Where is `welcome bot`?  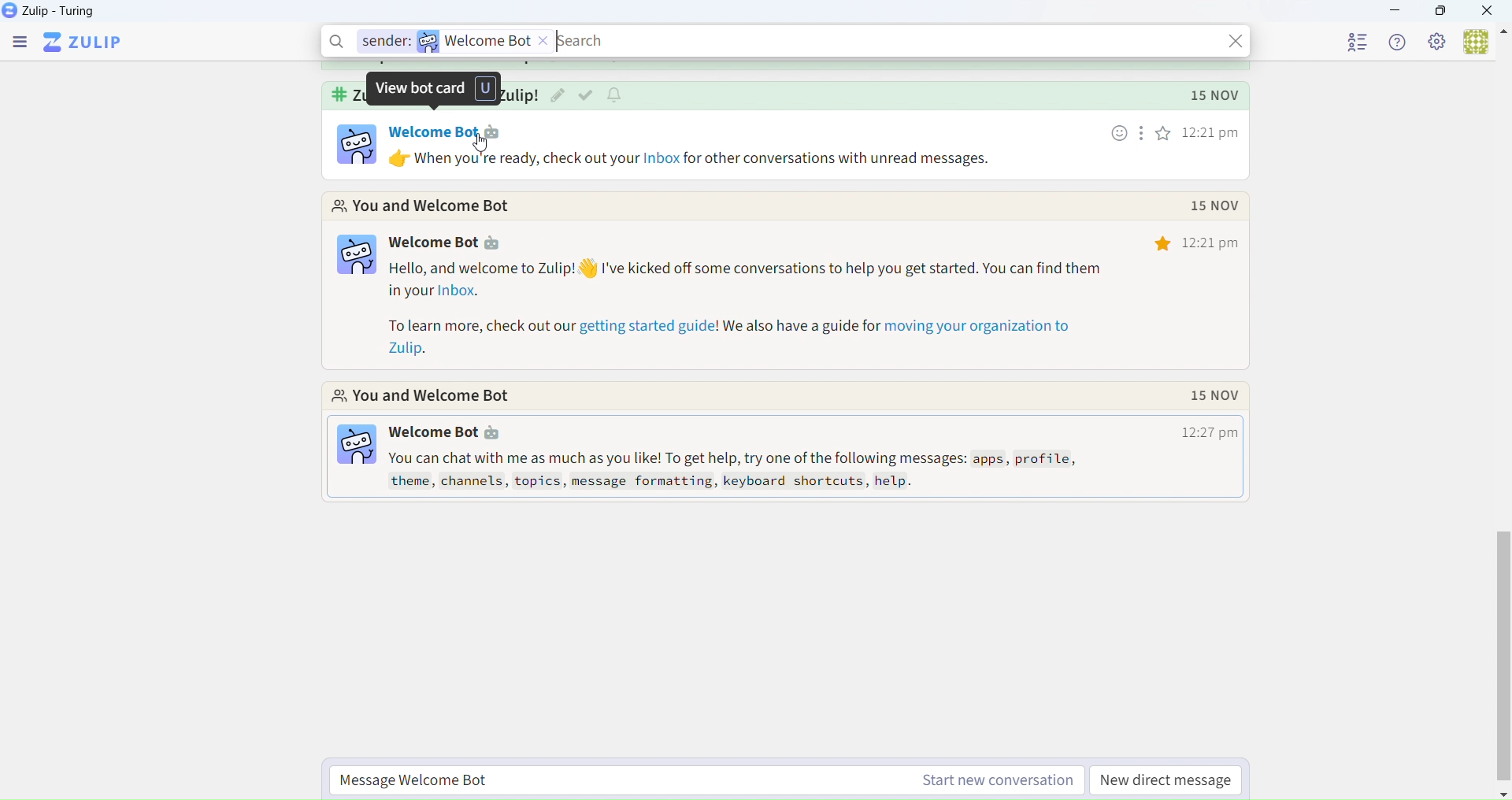
welcome bot is located at coordinates (496, 39).